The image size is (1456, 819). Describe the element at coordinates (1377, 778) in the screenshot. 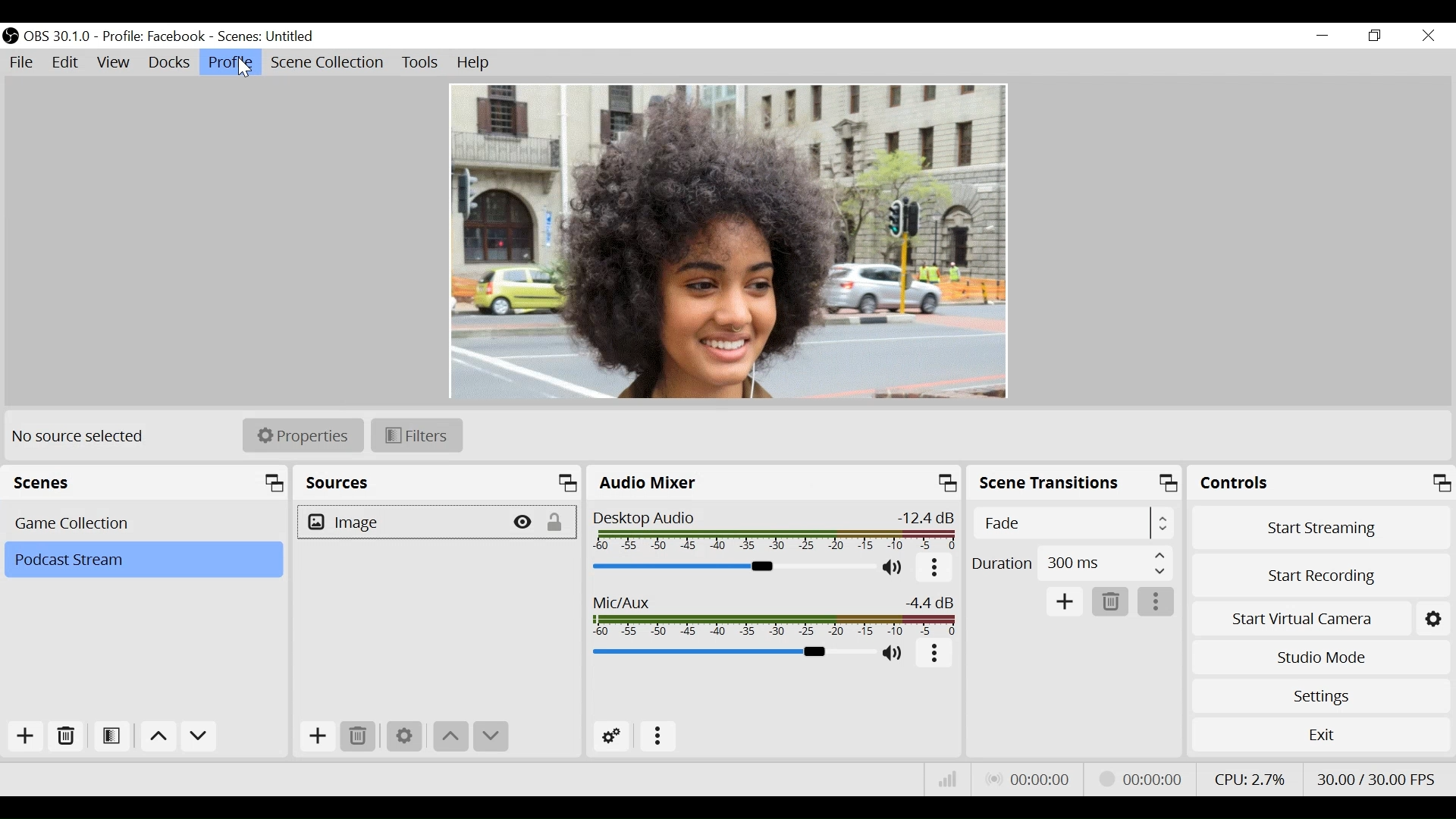

I see `Frame Per Second` at that location.